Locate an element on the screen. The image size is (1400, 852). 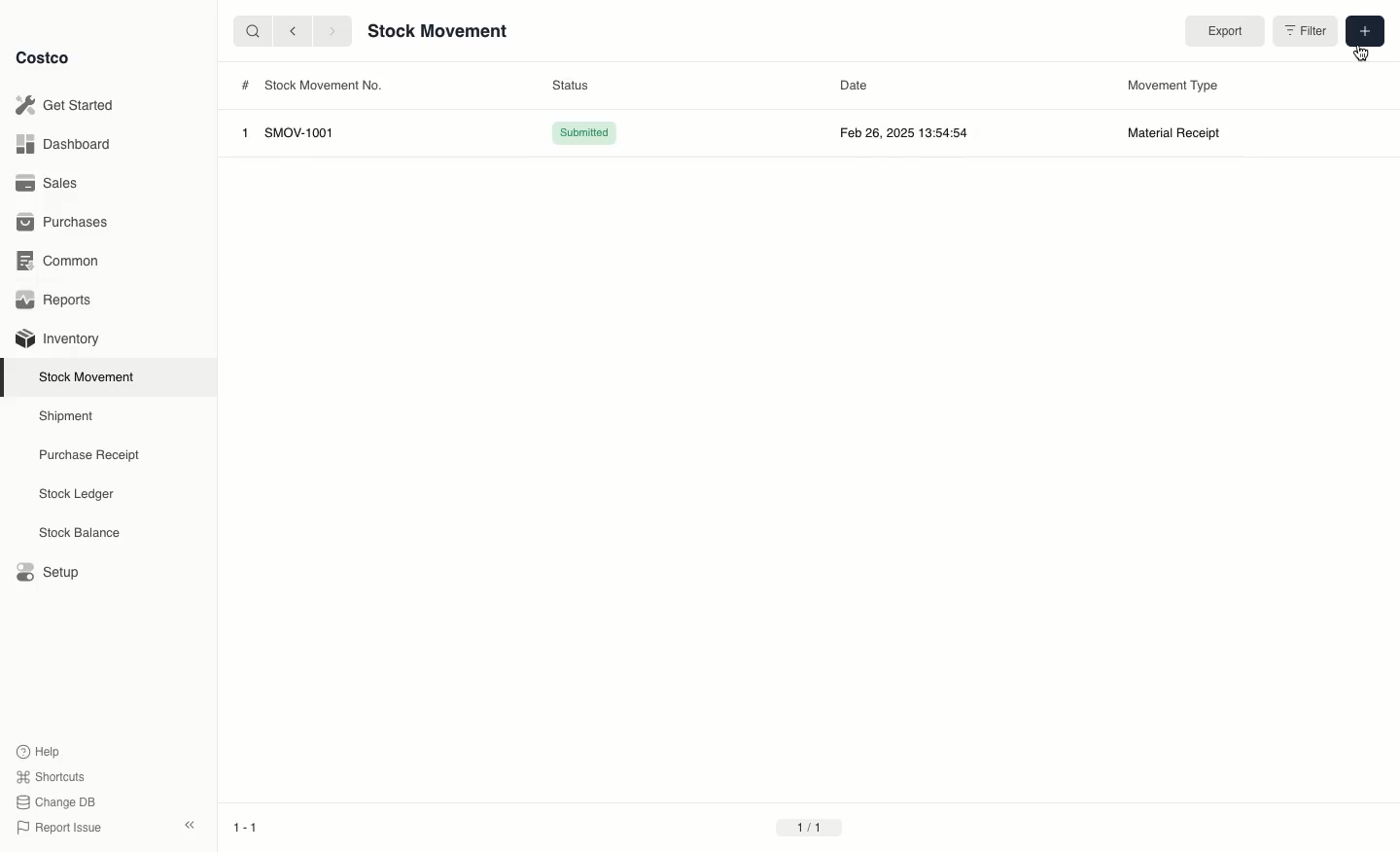
Stock Movement is located at coordinates (90, 376).